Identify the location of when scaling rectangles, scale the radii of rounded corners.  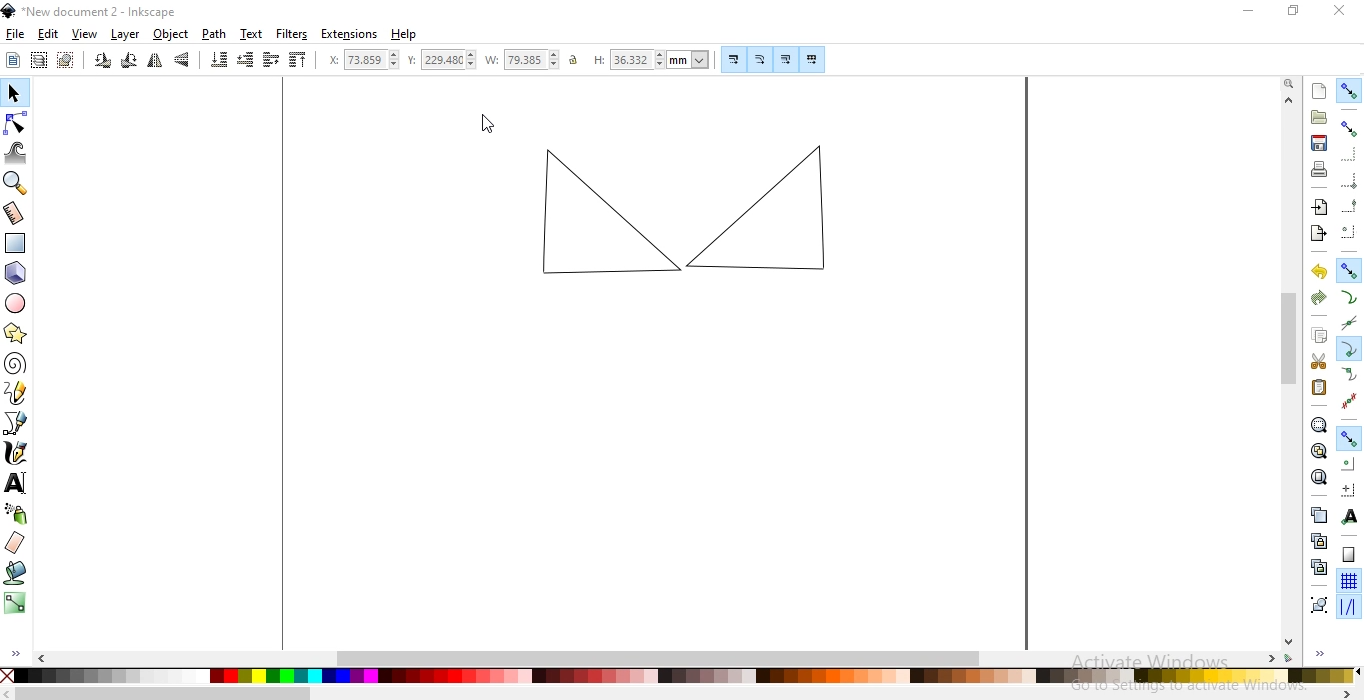
(760, 60).